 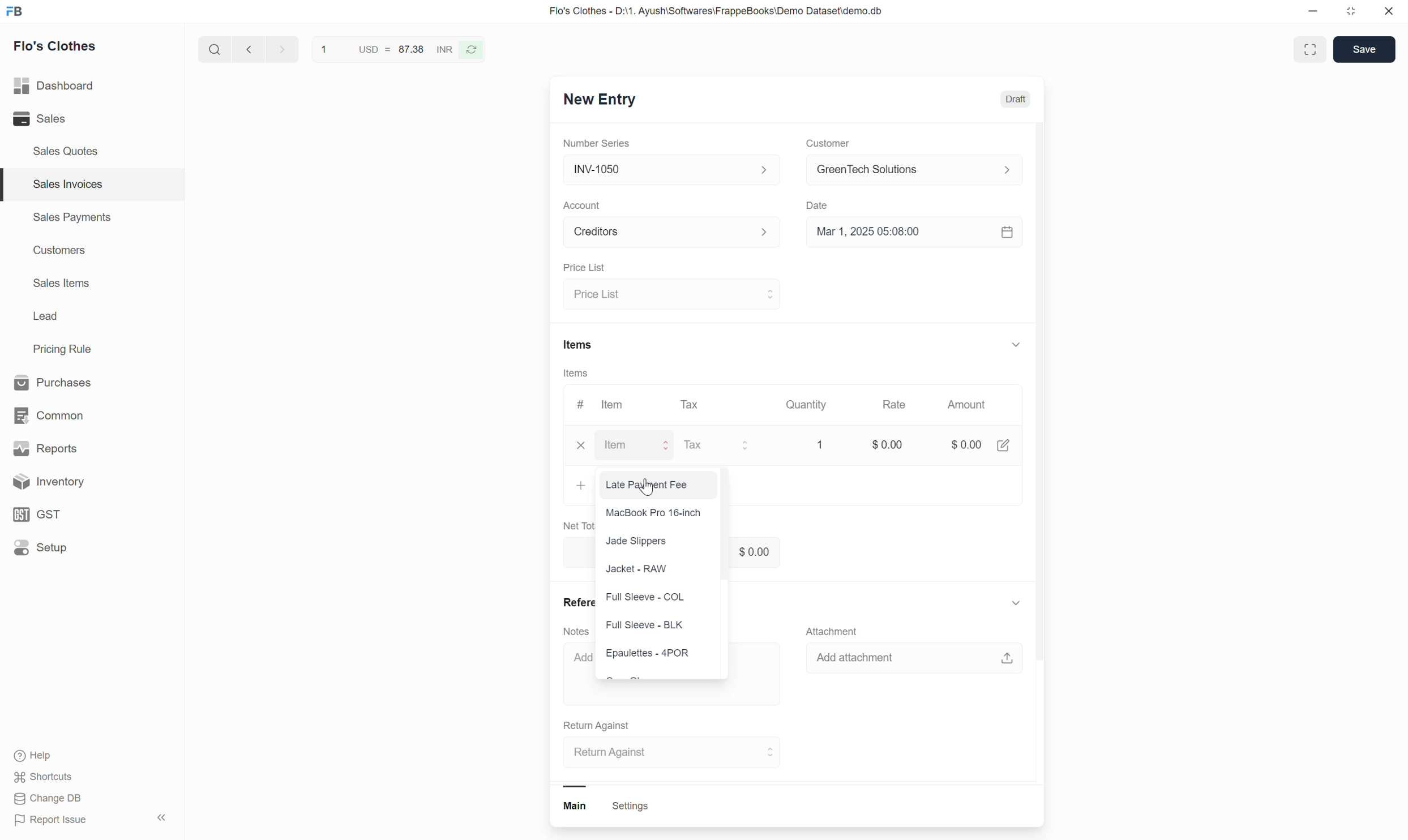 I want to click on Report Issue , so click(x=60, y=822).